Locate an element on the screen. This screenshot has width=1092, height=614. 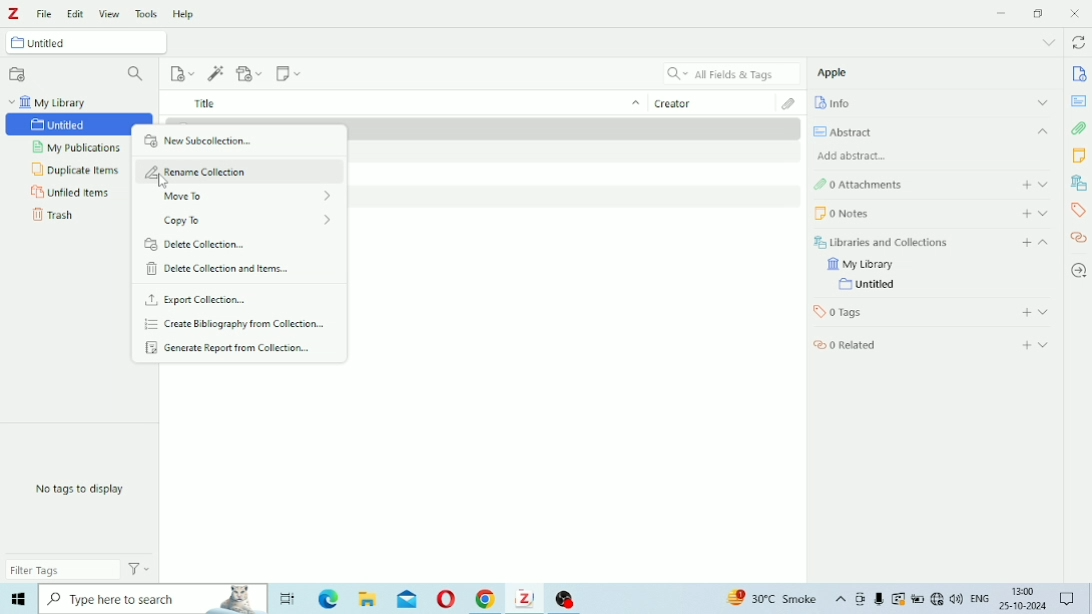
Collapse section is located at coordinates (1044, 243).